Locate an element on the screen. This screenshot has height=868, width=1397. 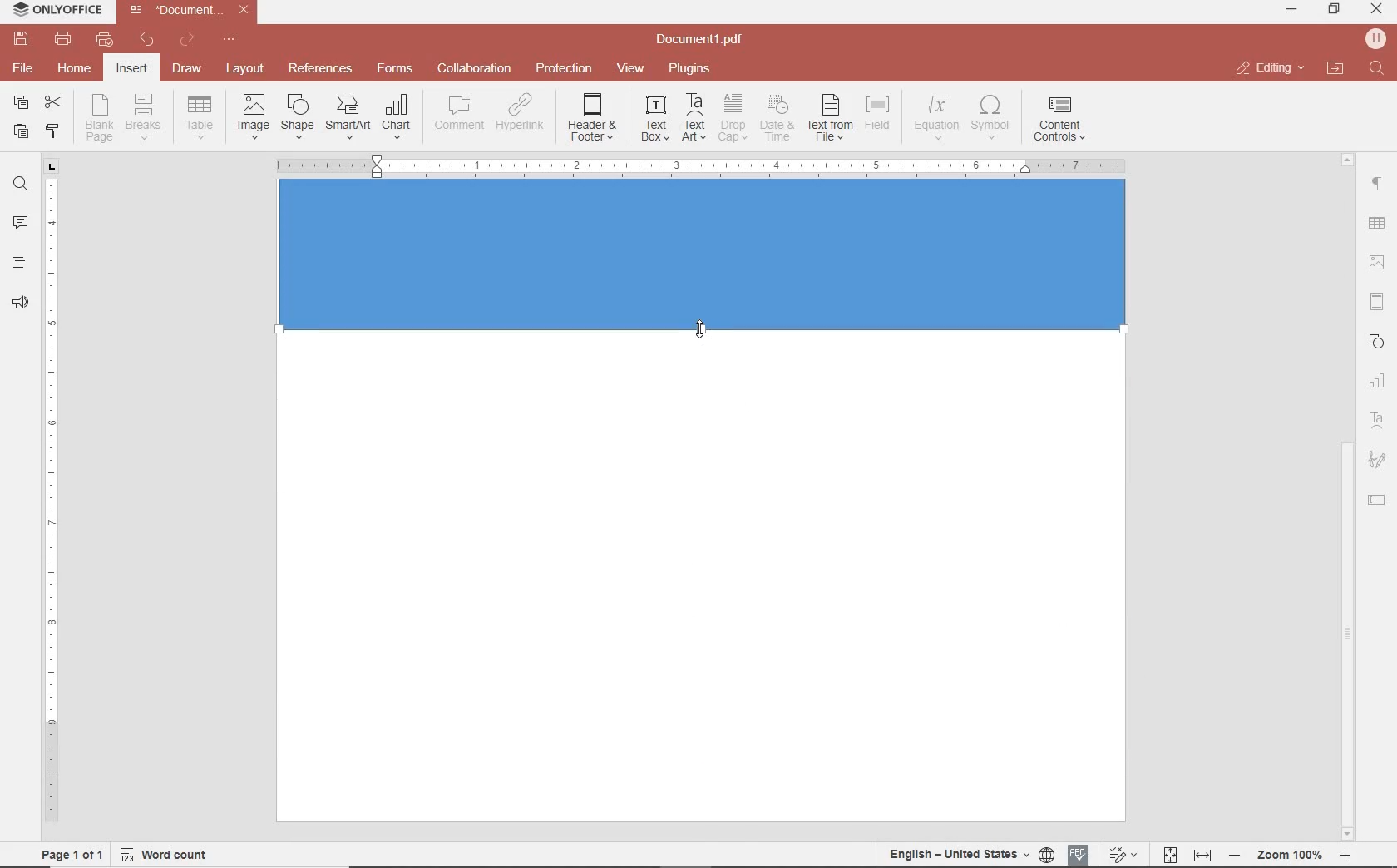
 is located at coordinates (1347, 157).